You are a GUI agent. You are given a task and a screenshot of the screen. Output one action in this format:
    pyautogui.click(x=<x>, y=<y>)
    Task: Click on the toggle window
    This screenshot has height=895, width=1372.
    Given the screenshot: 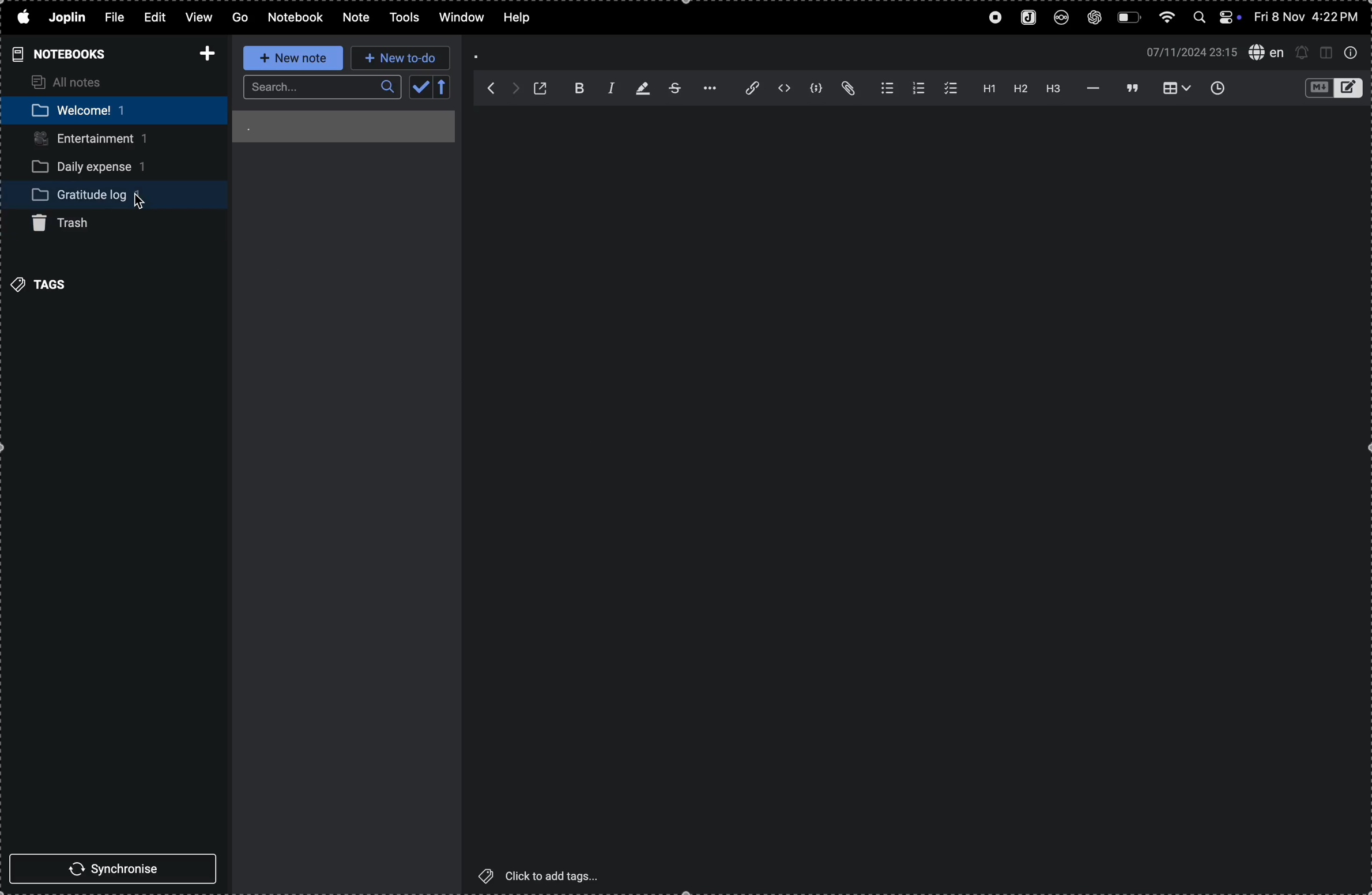 What is the action you would take?
    pyautogui.click(x=1325, y=54)
    